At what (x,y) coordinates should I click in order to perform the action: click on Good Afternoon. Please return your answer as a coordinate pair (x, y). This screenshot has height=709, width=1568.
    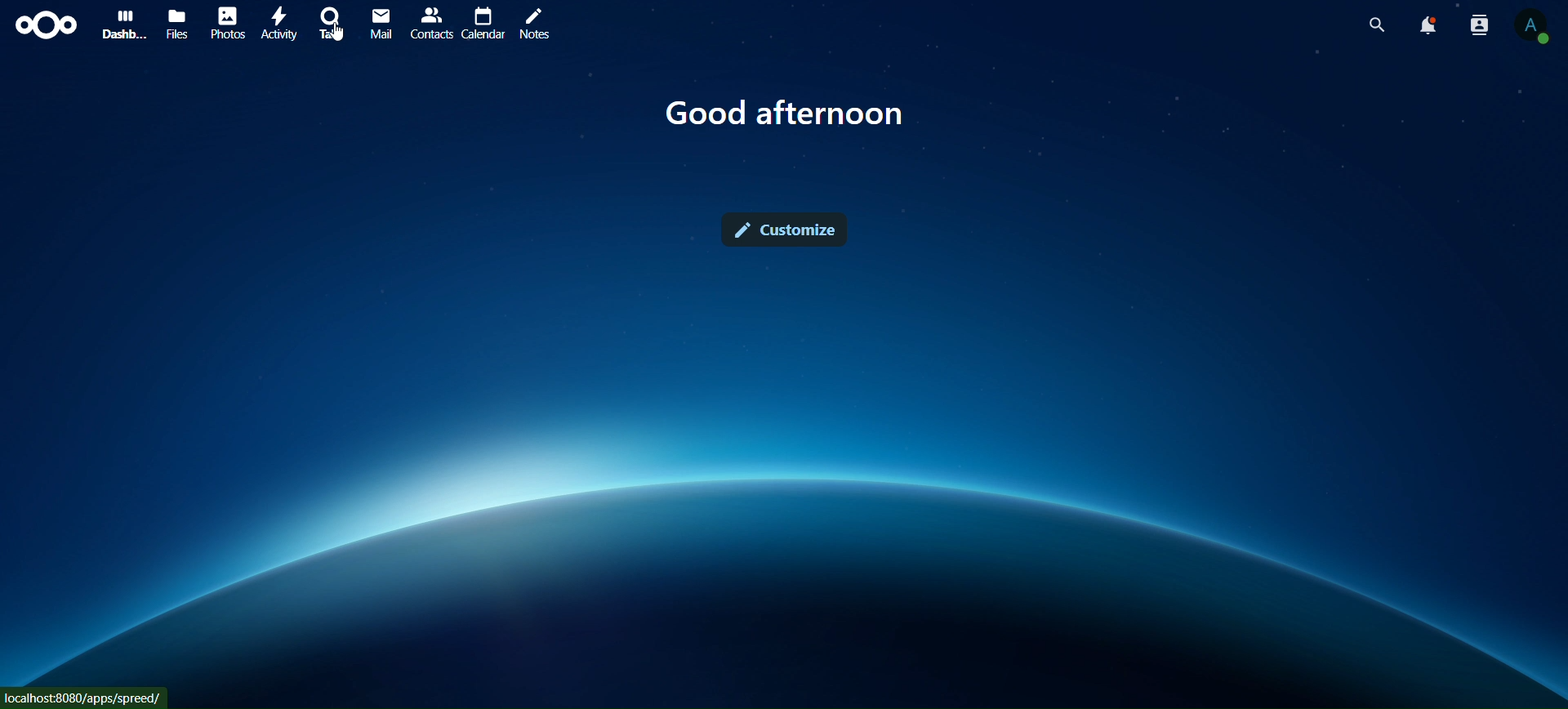
    Looking at the image, I should click on (786, 109).